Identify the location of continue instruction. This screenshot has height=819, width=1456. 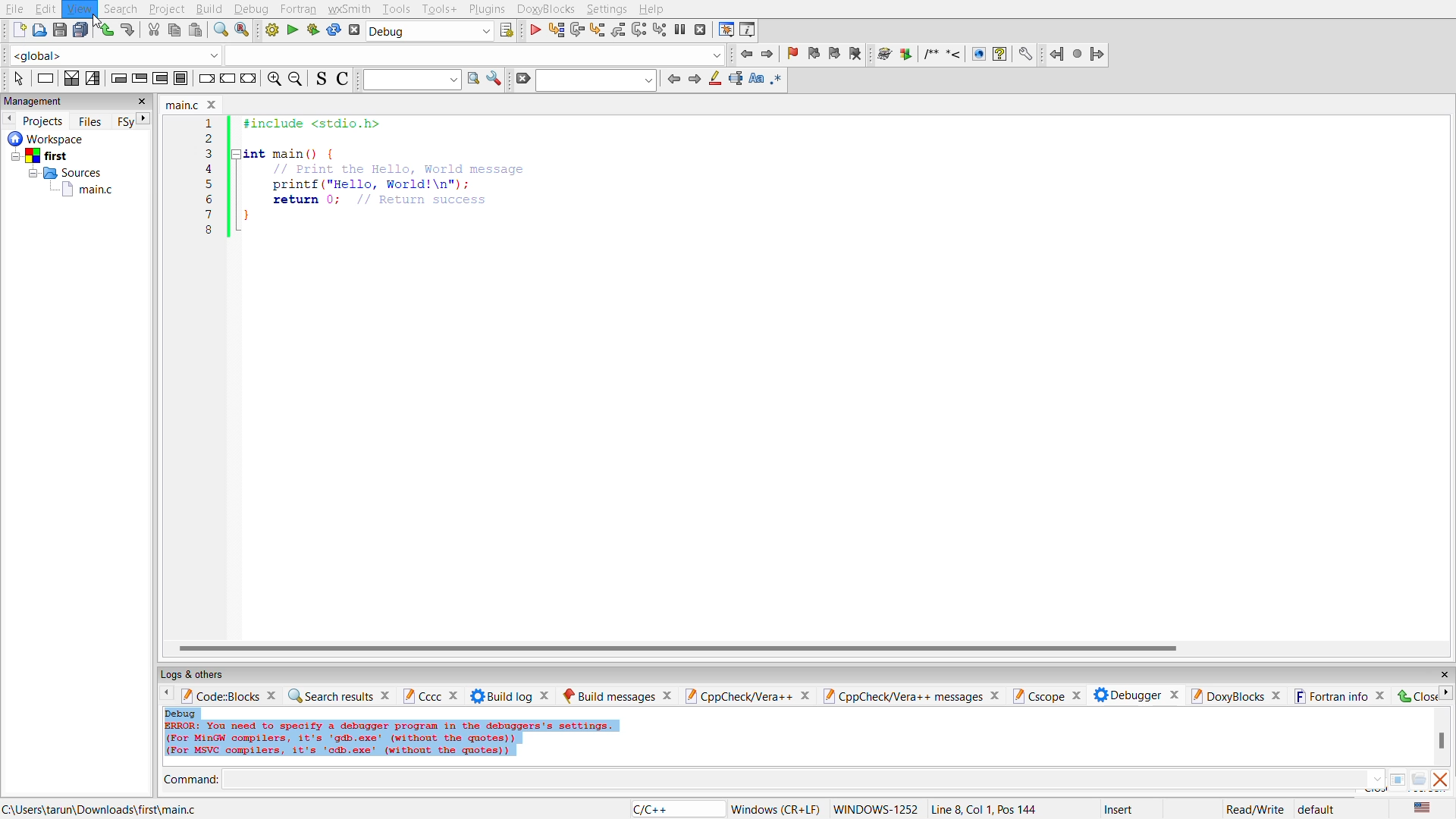
(227, 80).